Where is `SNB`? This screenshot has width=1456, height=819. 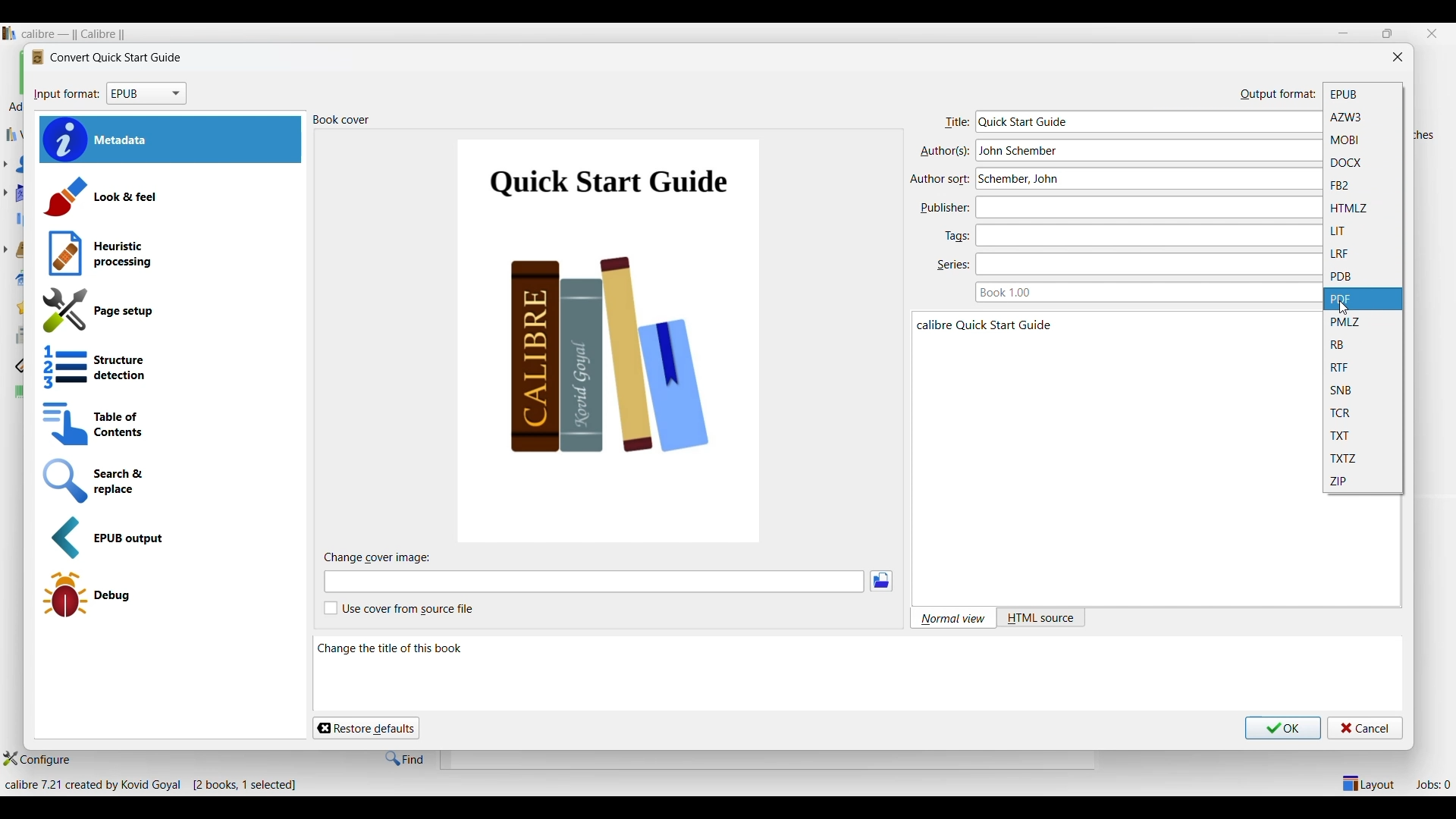
SNB is located at coordinates (1363, 391).